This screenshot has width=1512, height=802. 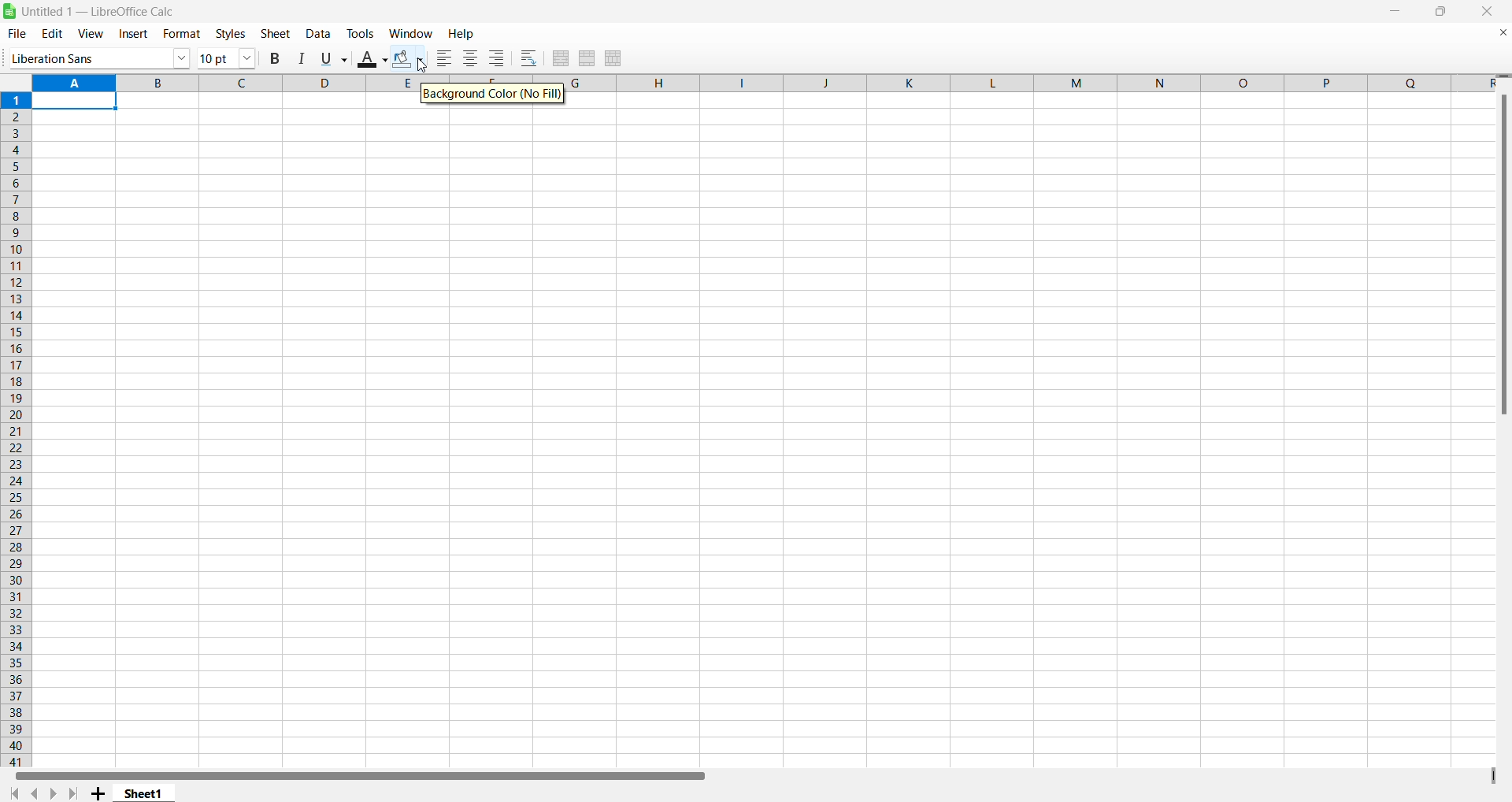 What do you see at coordinates (528, 57) in the screenshot?
I see `wrap text` at bounding box center [528, 57].